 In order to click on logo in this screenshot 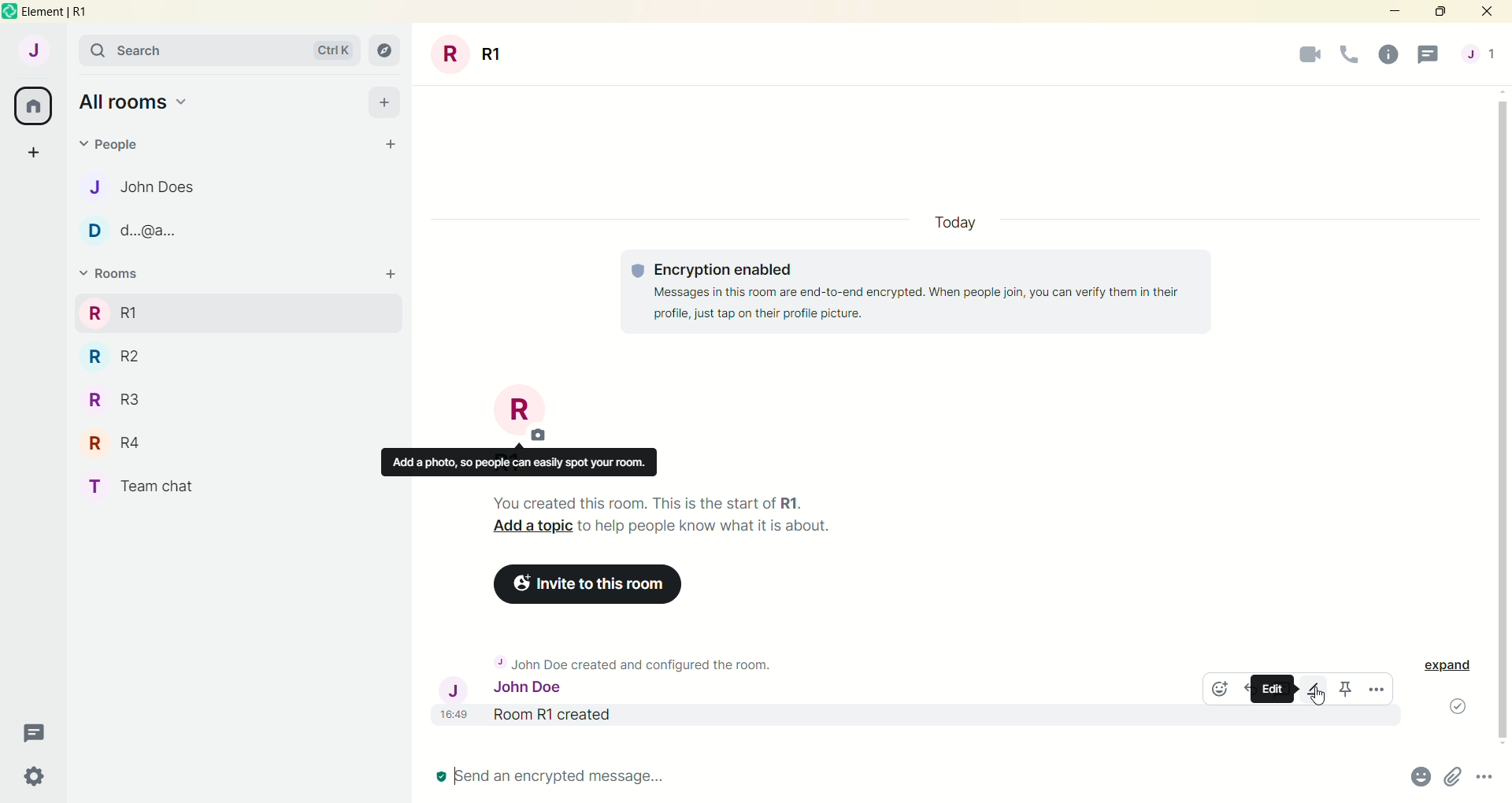, I will do `click(9, 13)`.